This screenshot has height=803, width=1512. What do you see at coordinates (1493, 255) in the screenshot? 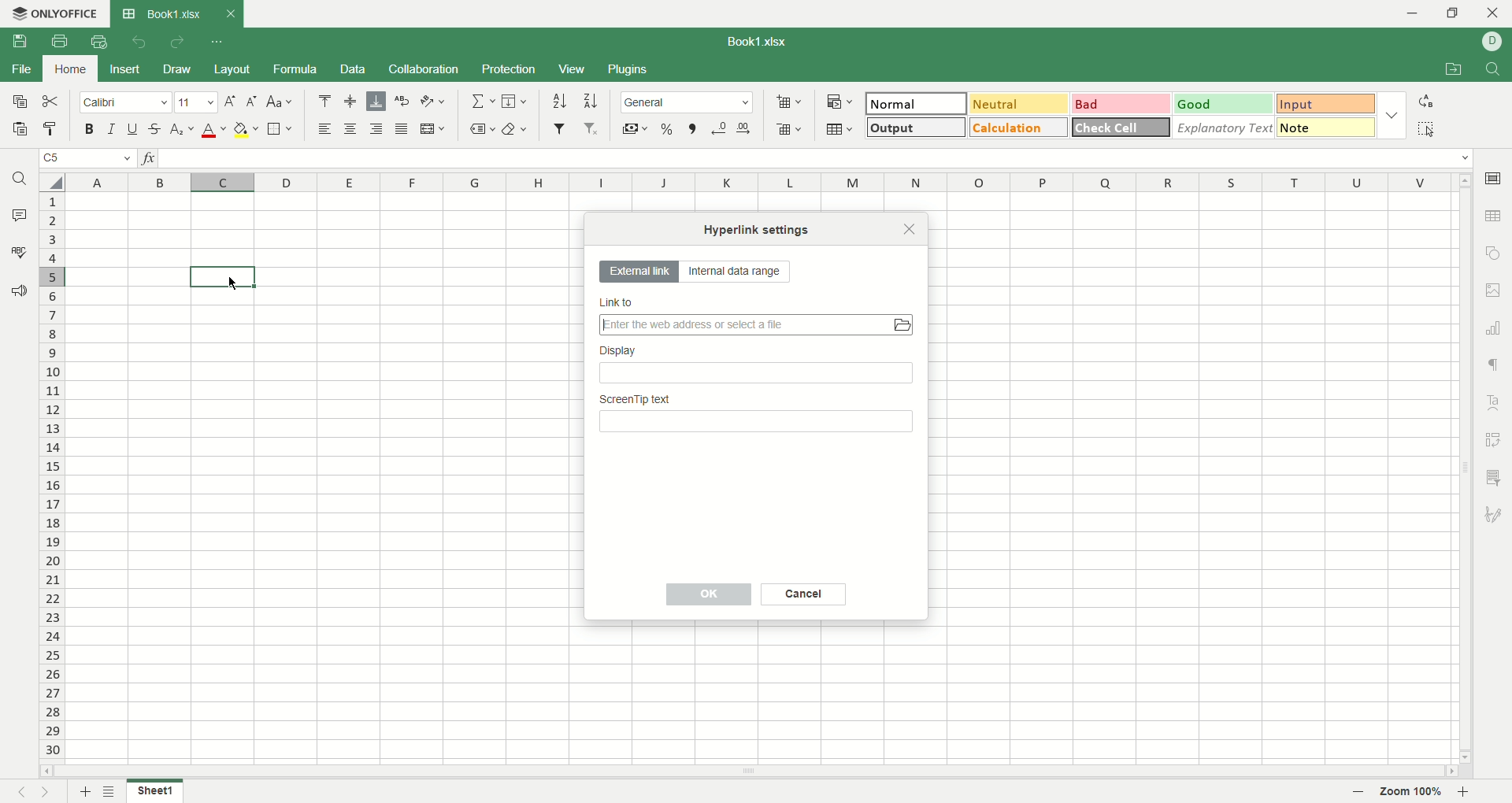
I see `object settings` at bounding box center [1493, 255].